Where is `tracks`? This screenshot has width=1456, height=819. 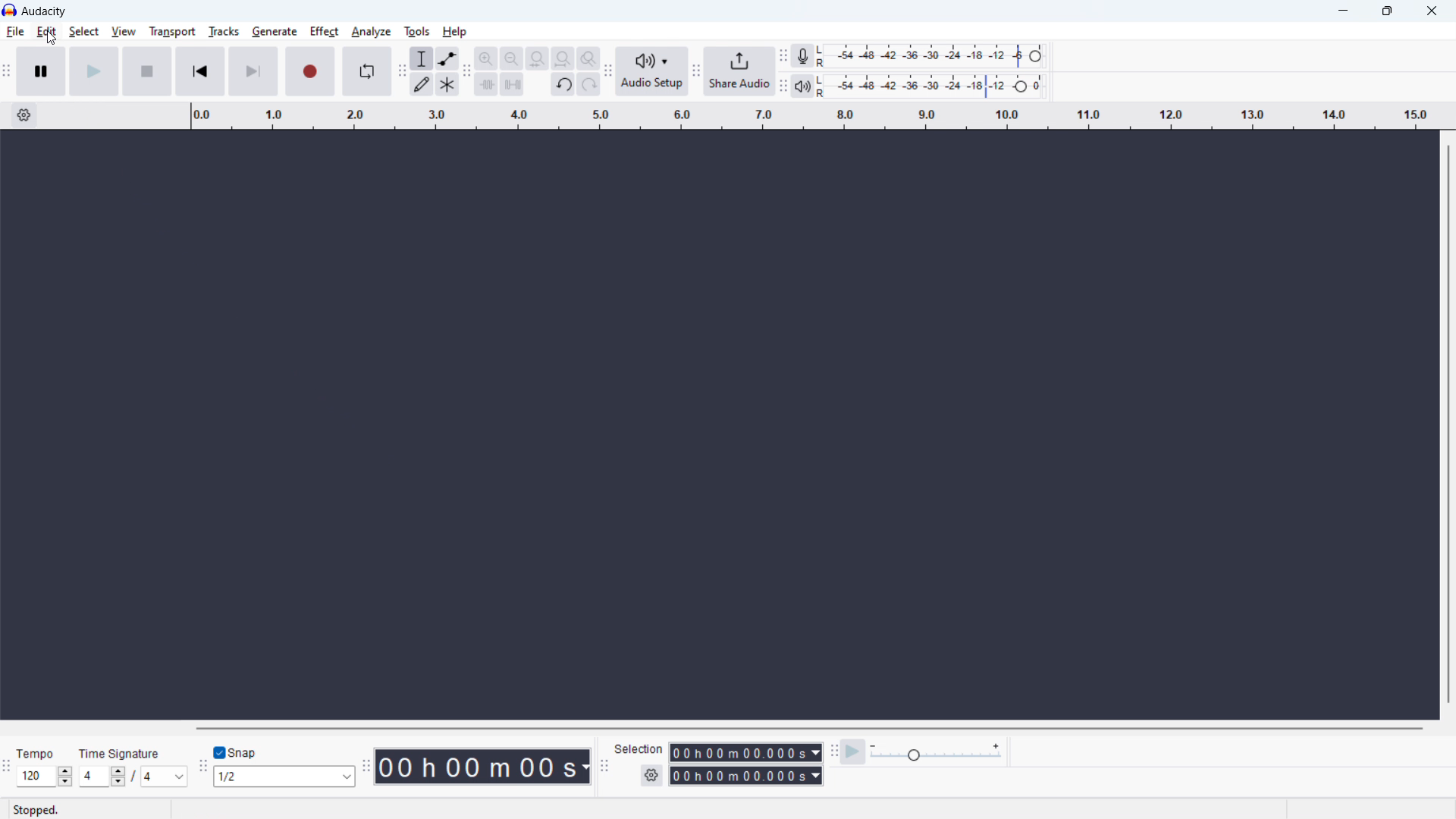
tracks is located at coordinates (223, 31).